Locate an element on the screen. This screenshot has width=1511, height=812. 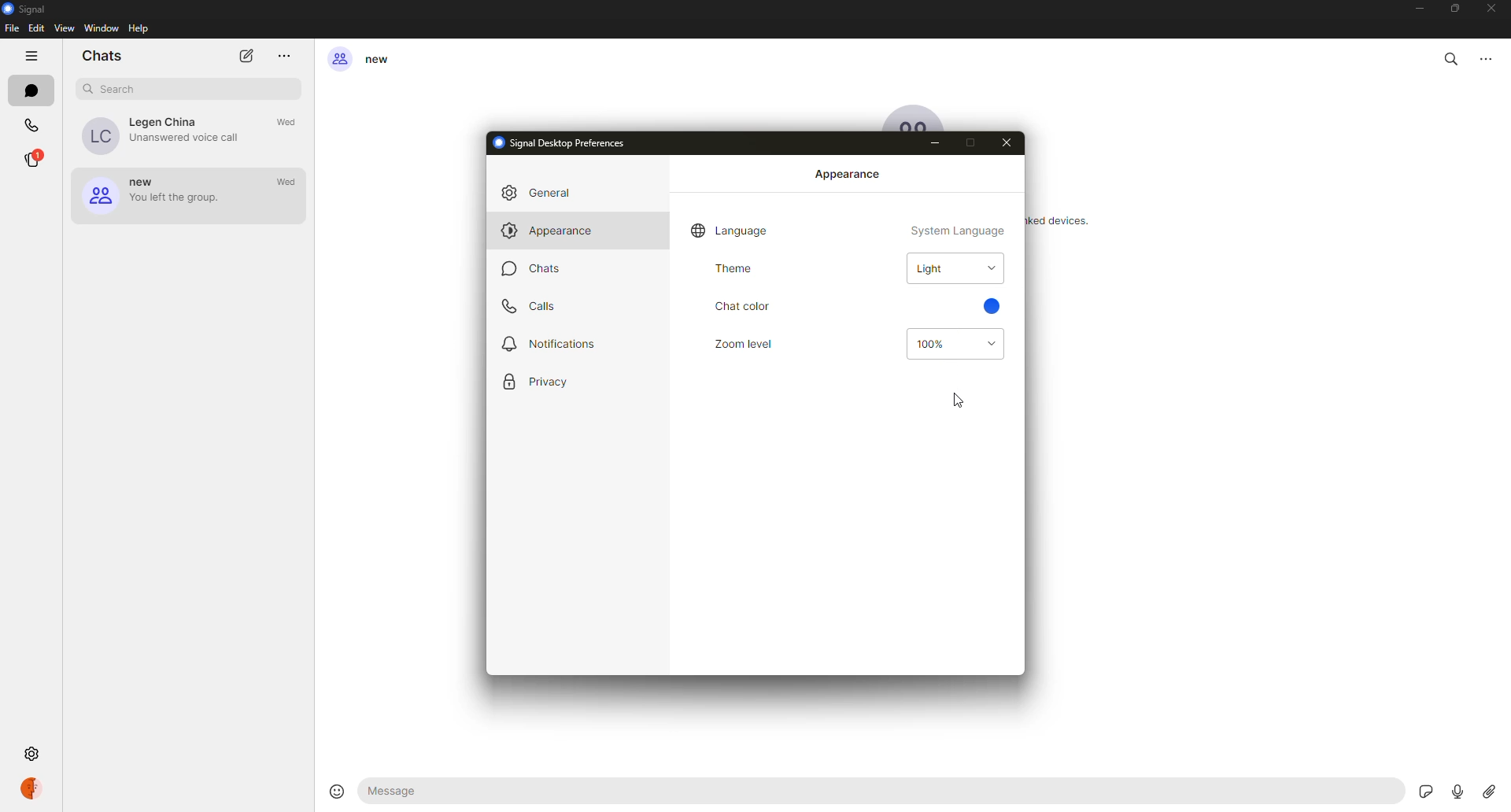
chats is located at coordinates (104, 57).